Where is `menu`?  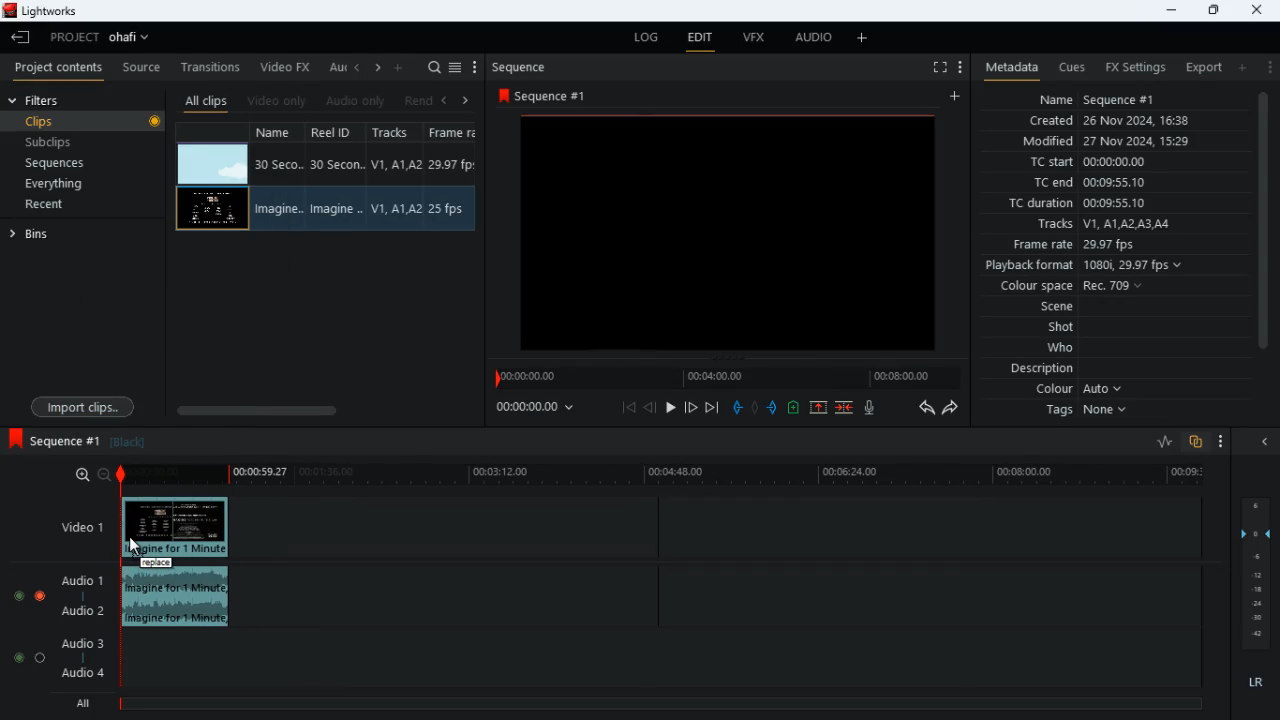
menu is located at coordinates (475, 68).